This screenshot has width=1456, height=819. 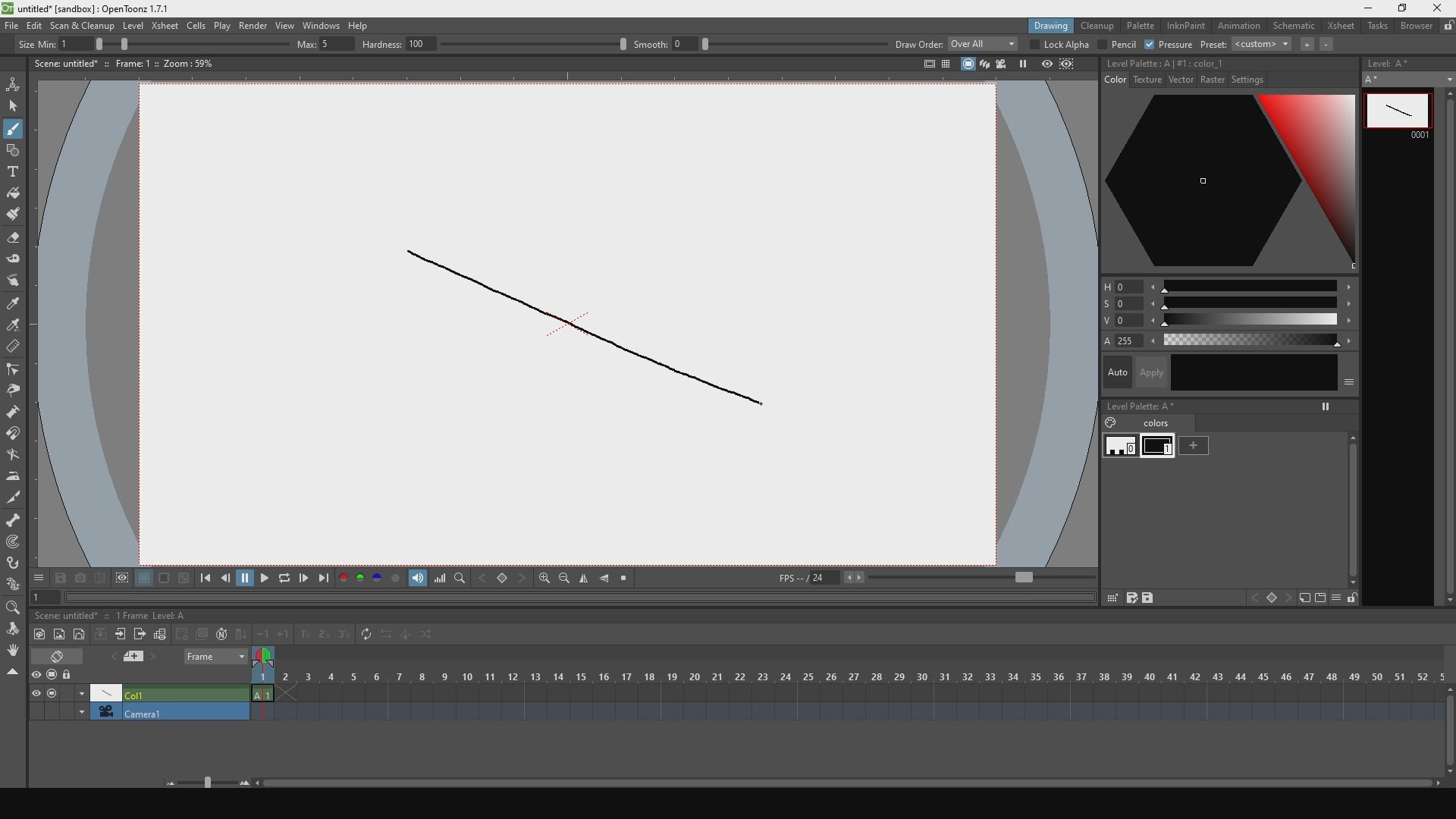 I want to click on custom, so click(x=1262, y=48).